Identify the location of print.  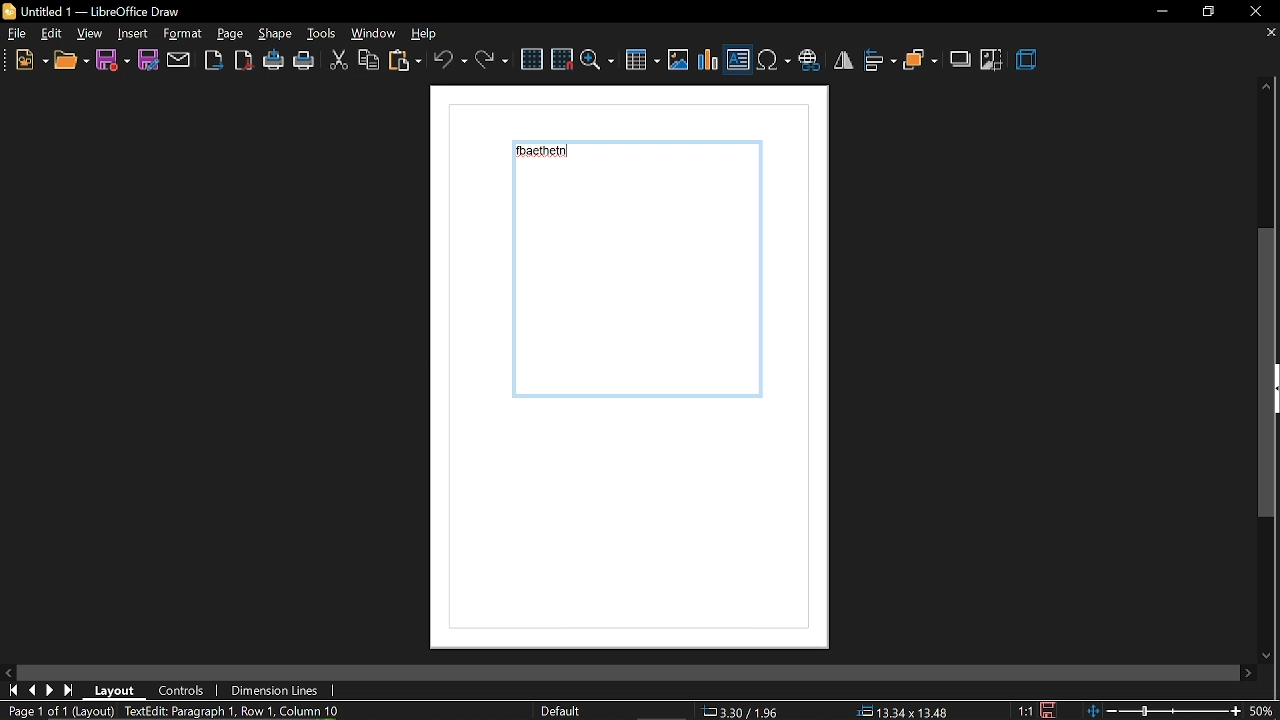
(304, 63).